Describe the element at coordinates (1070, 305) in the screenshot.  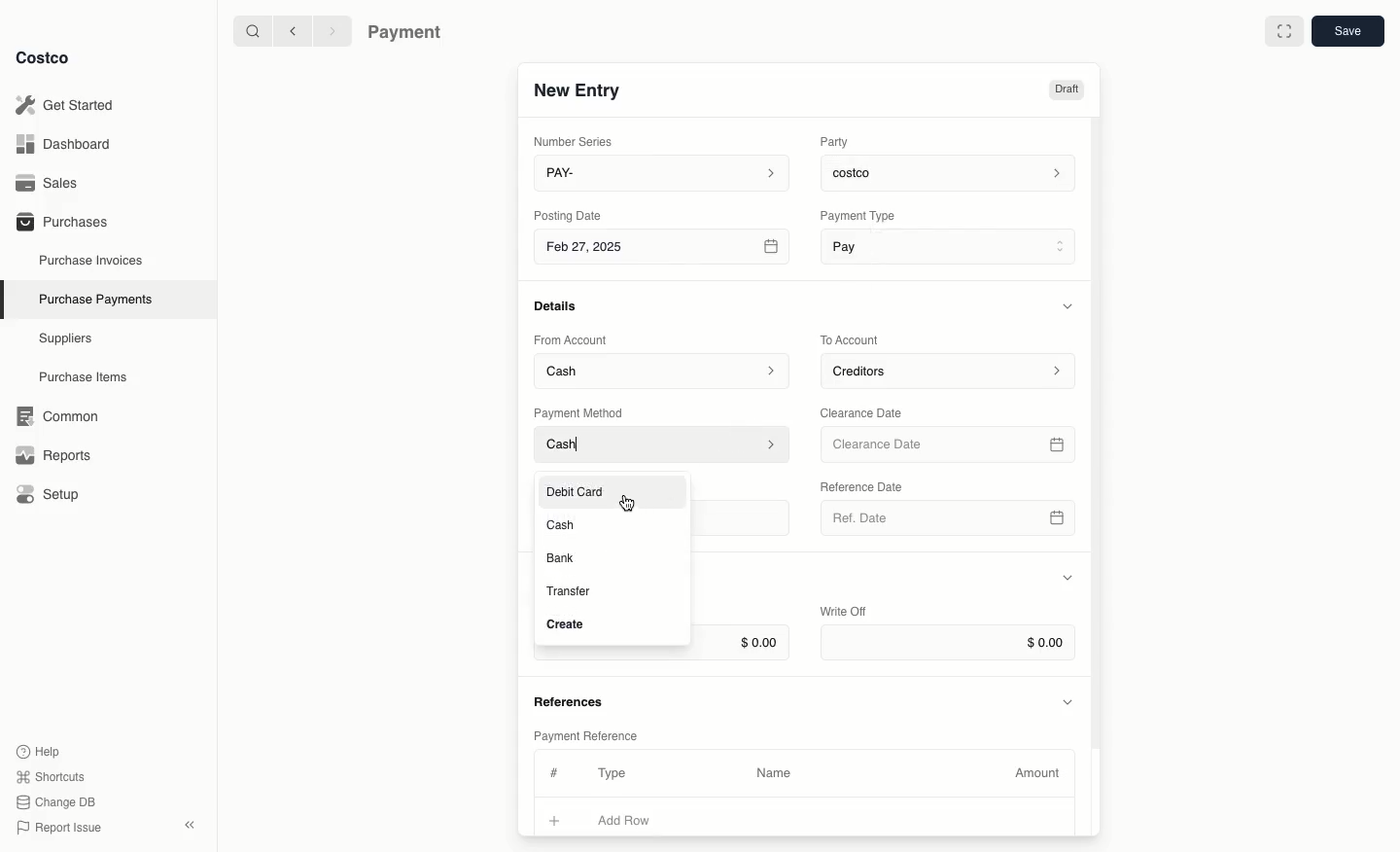
I see `Hide` at that location.